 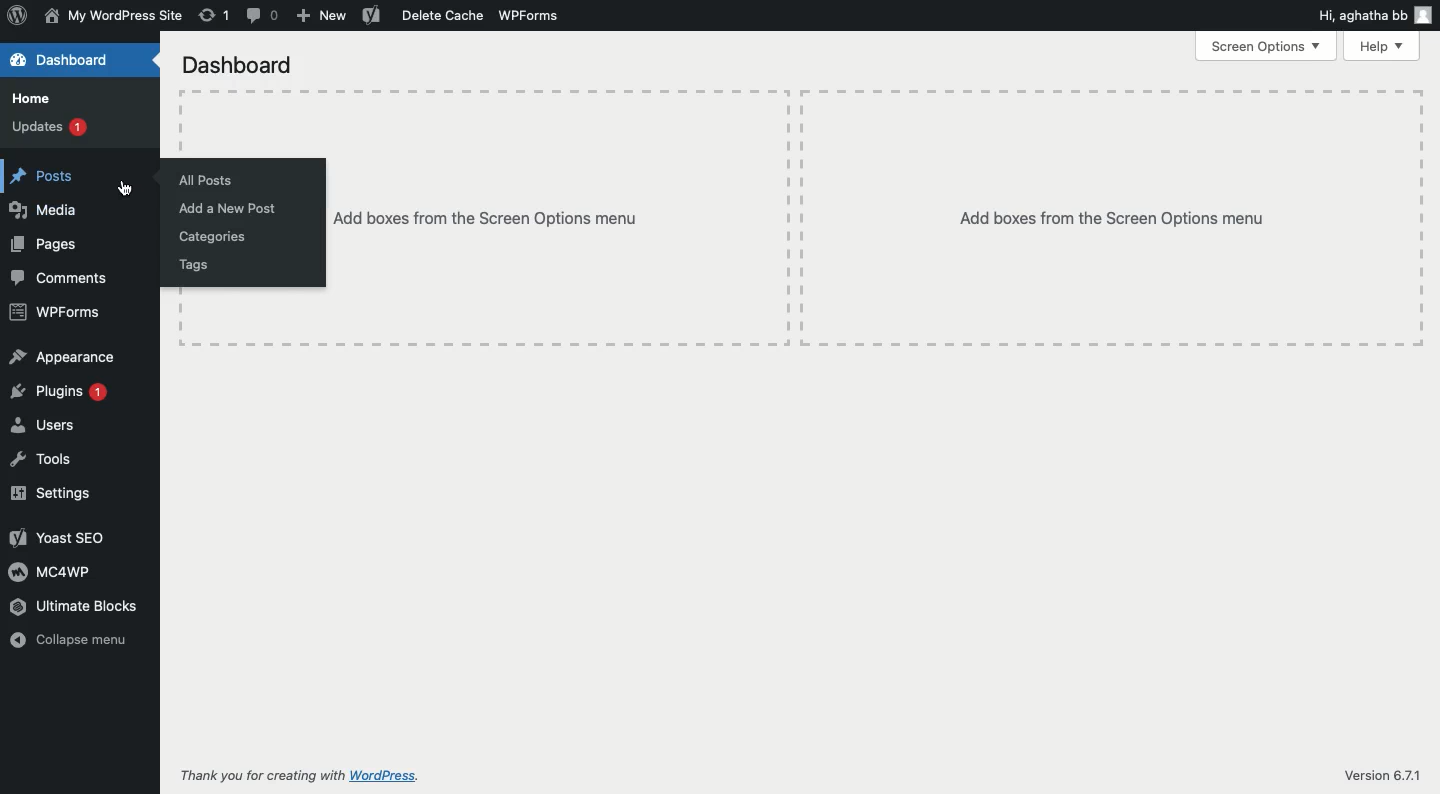 What do you see at coordinates (214, 238) in the screenshot?
I see `categories` at bounding box center [214, 238].